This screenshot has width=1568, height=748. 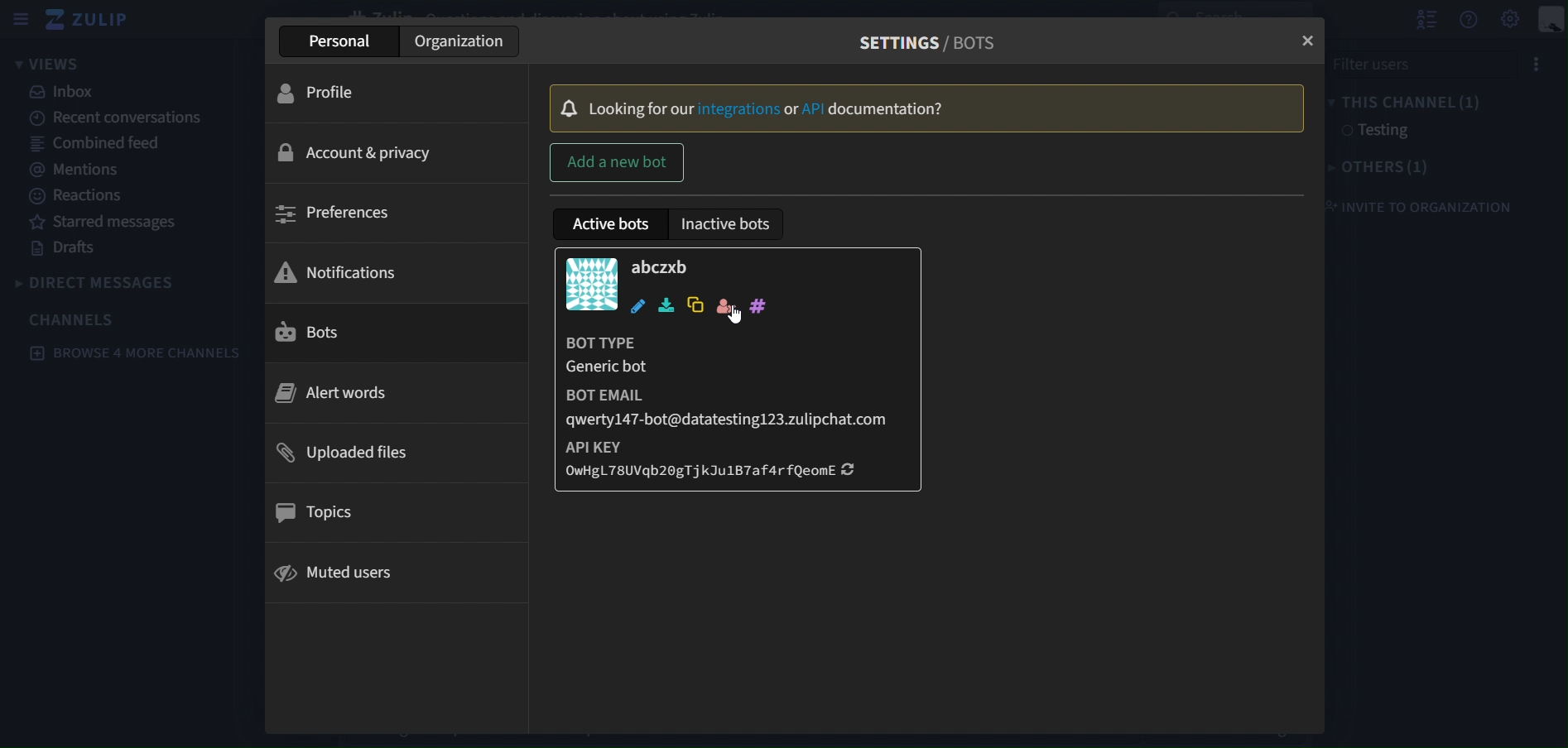 I want to click on inbox, so click(x=65, y=91).